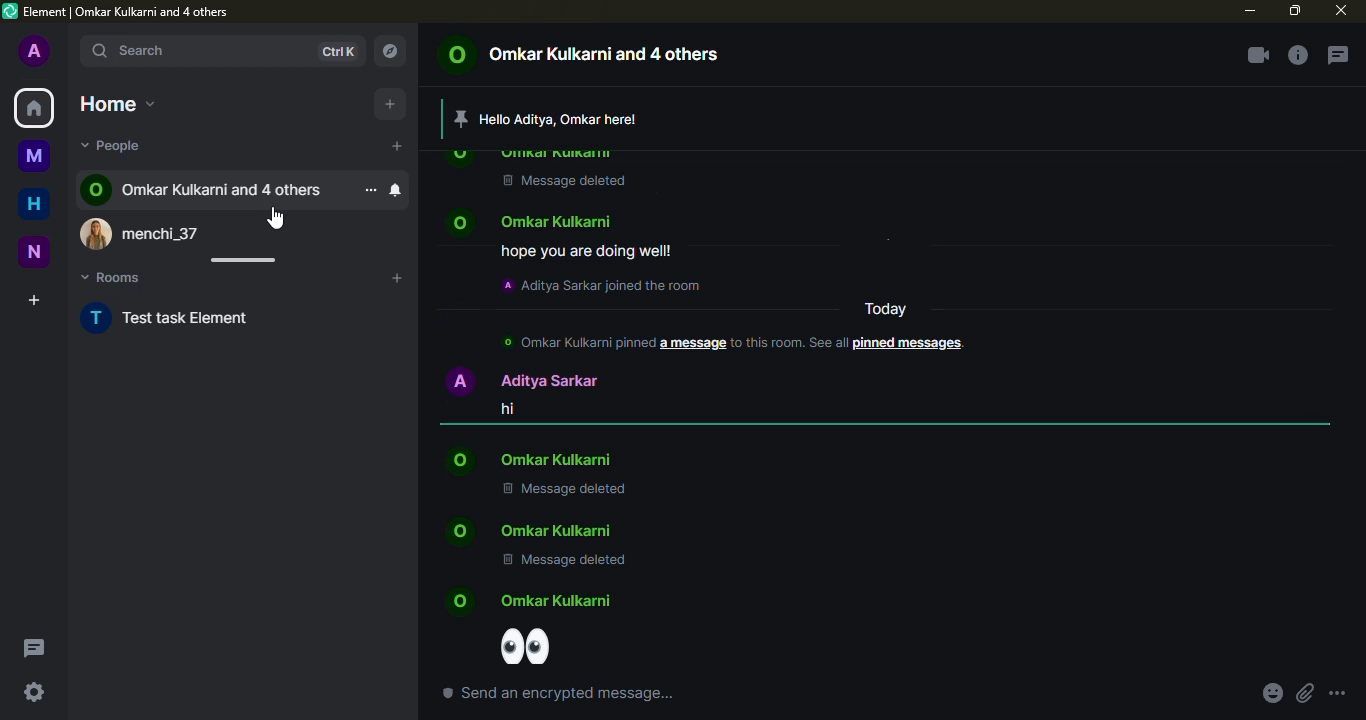 This screenshot has height=720, width=1366. I want to click on emoji, so click(533, 647).